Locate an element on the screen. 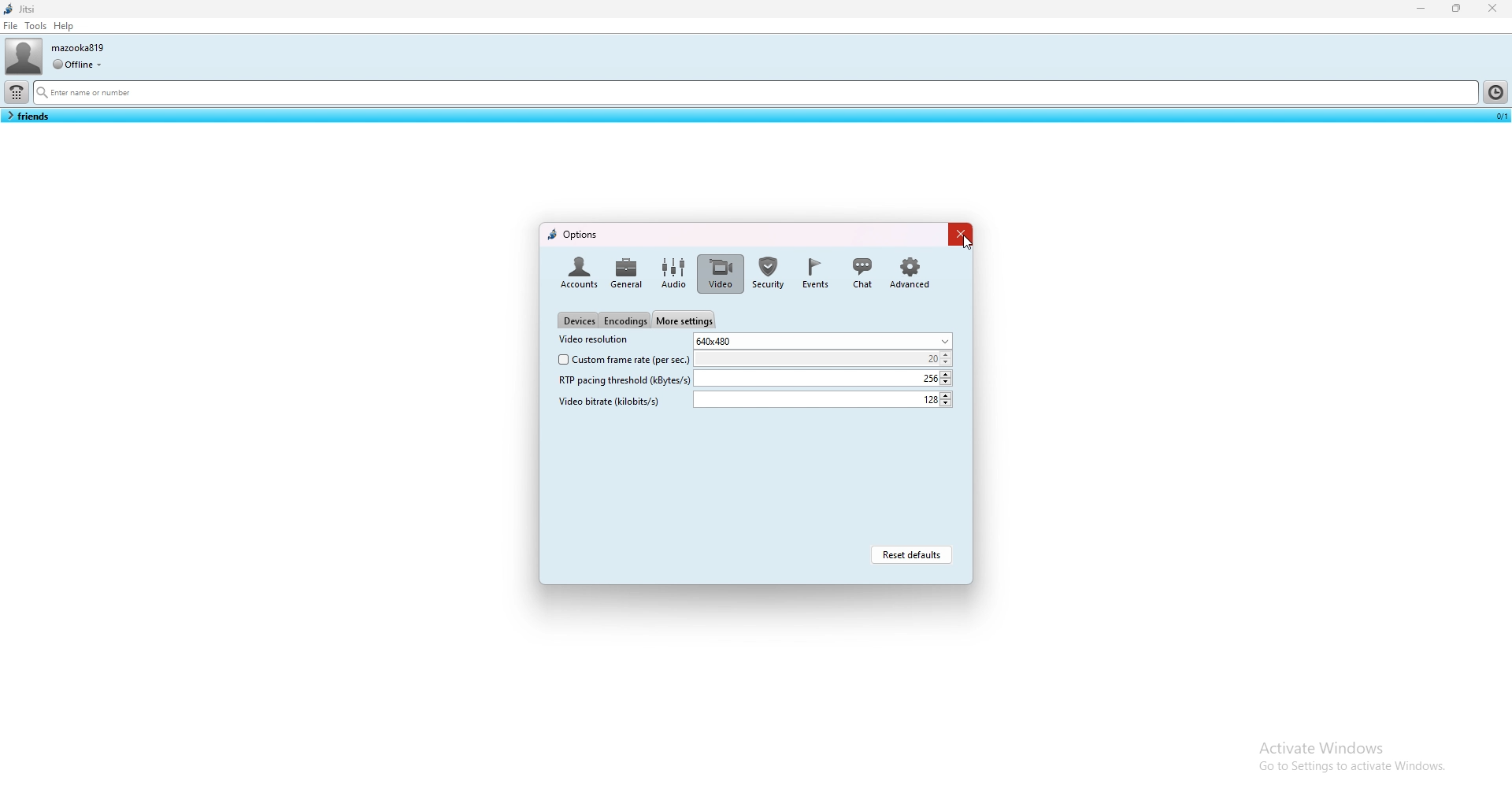  Audio is located at coordinates (673, 273).